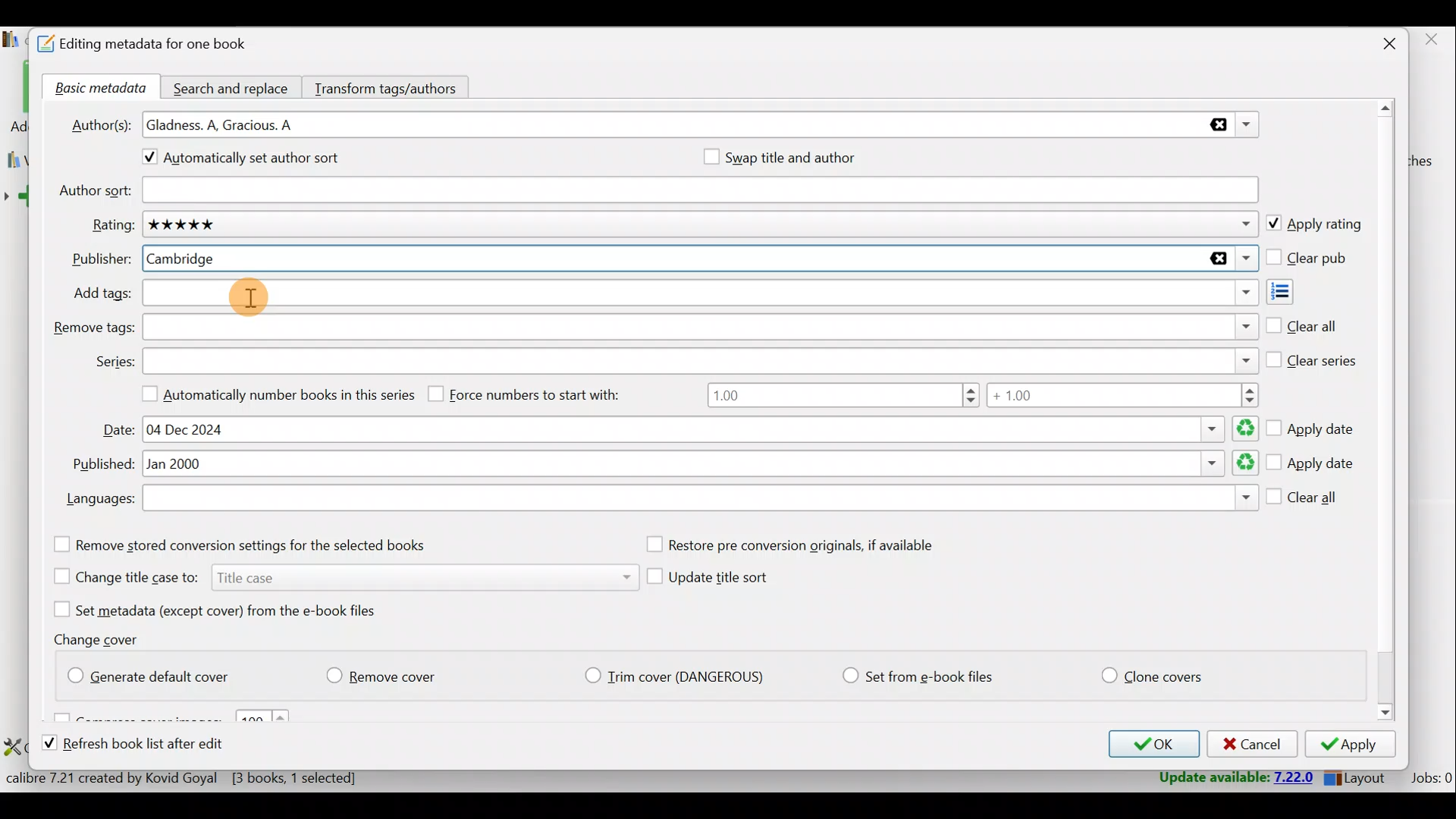 The height and width of the screenshot is (819, 1456). Describe the element at coordinates (535, 394) in the screenshot. I see `Force numbers to start with` at that location.